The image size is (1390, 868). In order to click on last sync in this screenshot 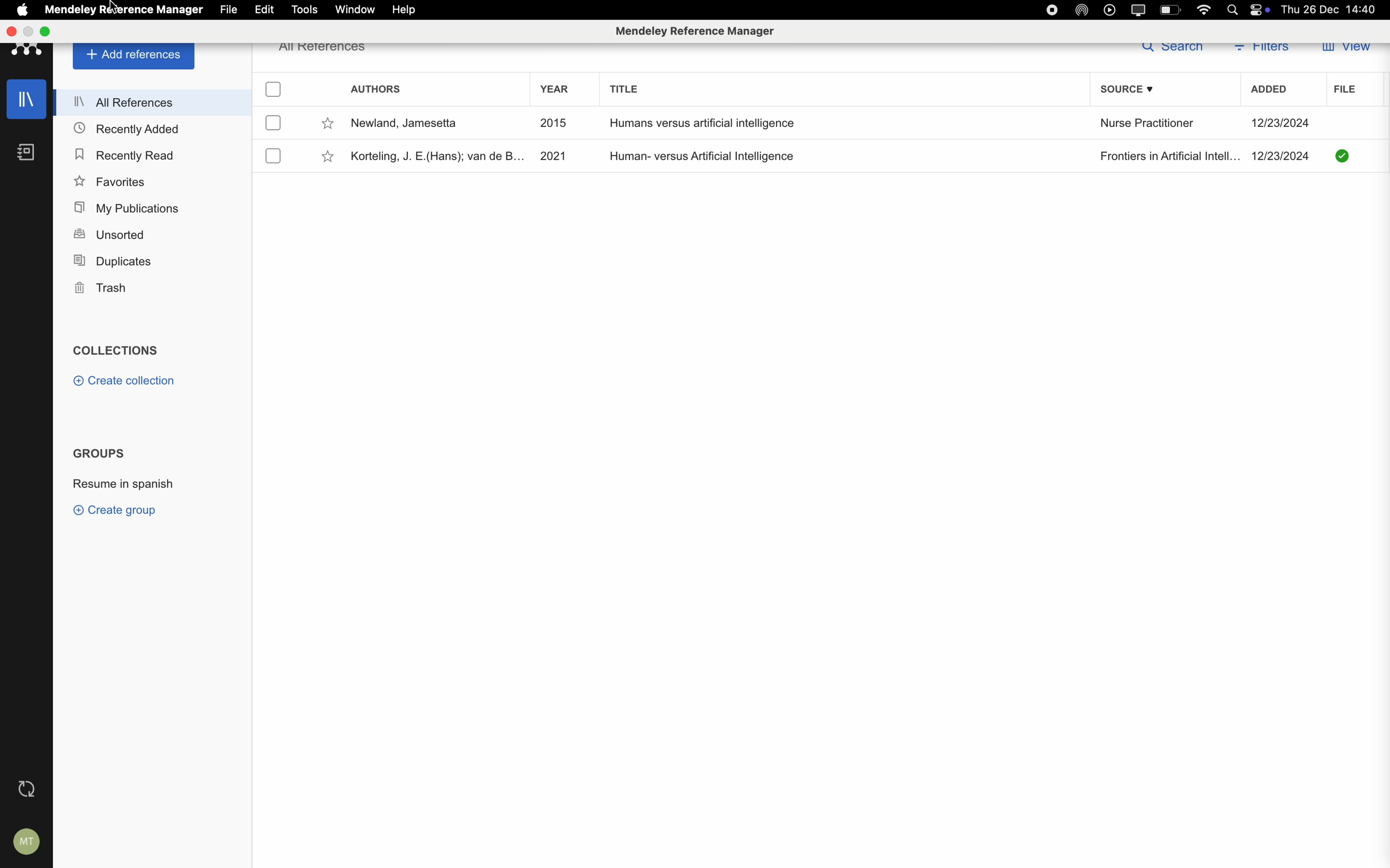, I will do `click(26, 790)`.